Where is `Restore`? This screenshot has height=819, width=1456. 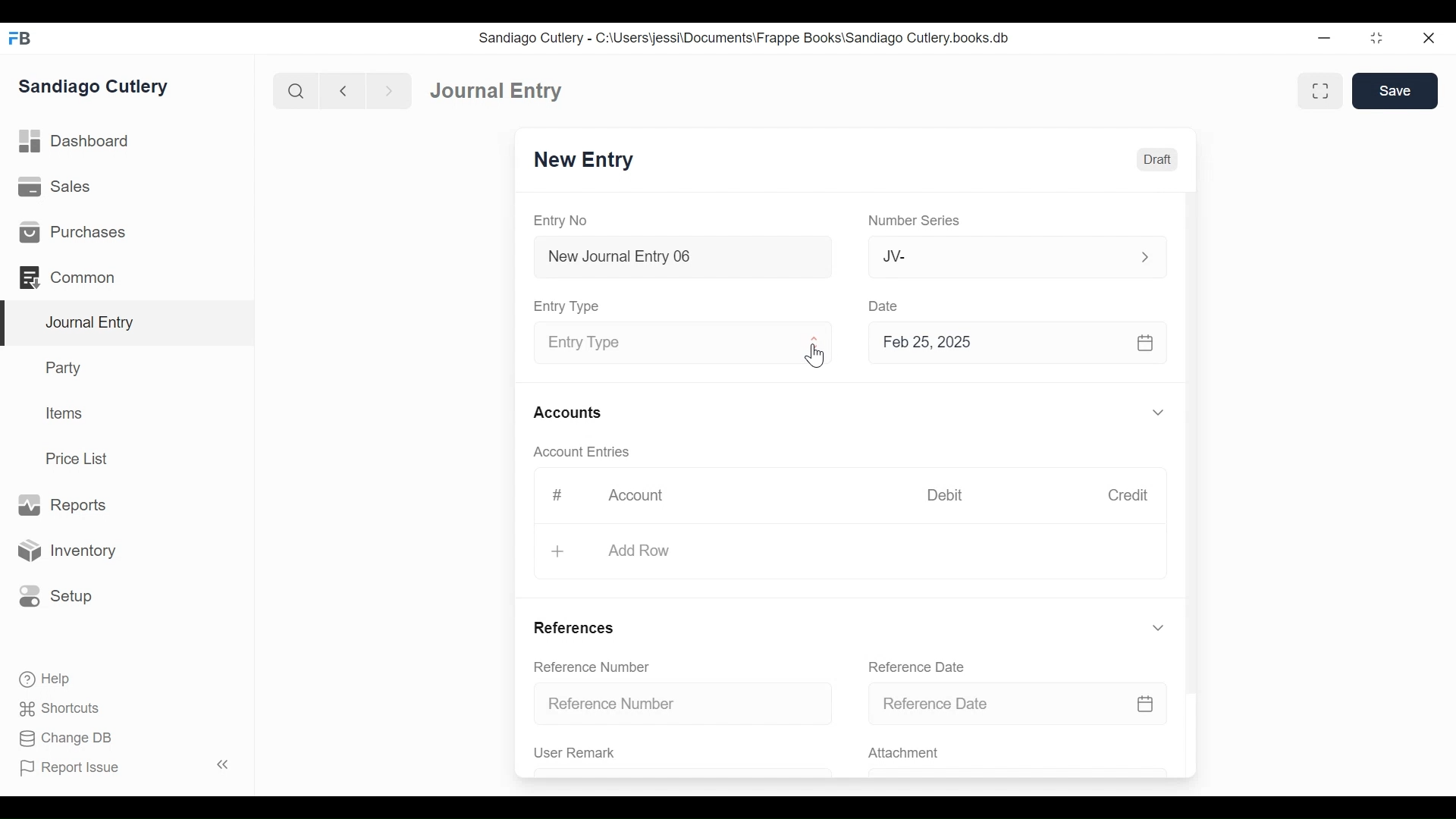 Restore is located at coordinates (1379, 37).